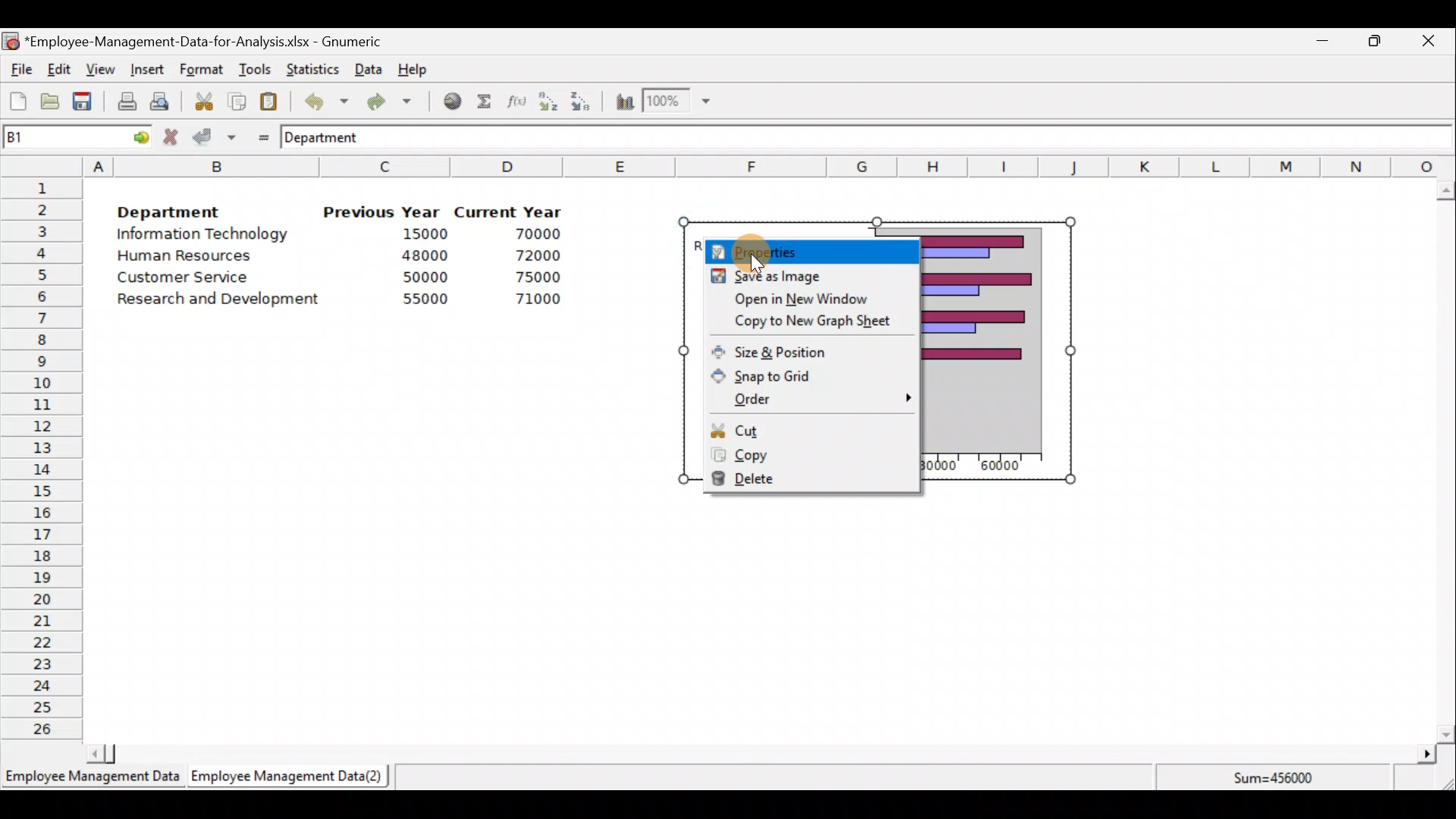  Describe the element at coordinates (802, 277) in the screenshot. I see `Save as Image` at that location.